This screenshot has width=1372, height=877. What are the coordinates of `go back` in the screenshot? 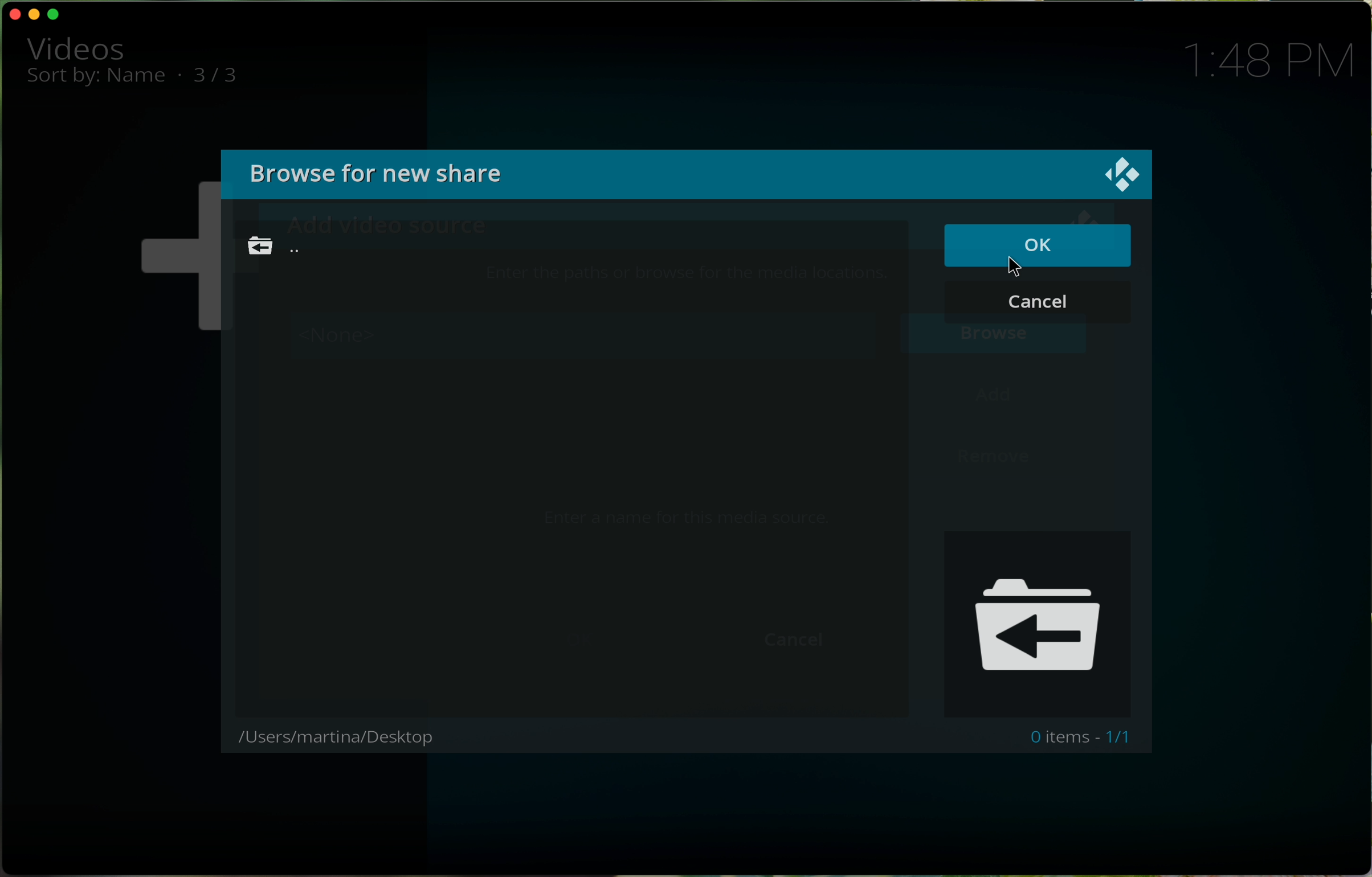 It's located at (272, 246).